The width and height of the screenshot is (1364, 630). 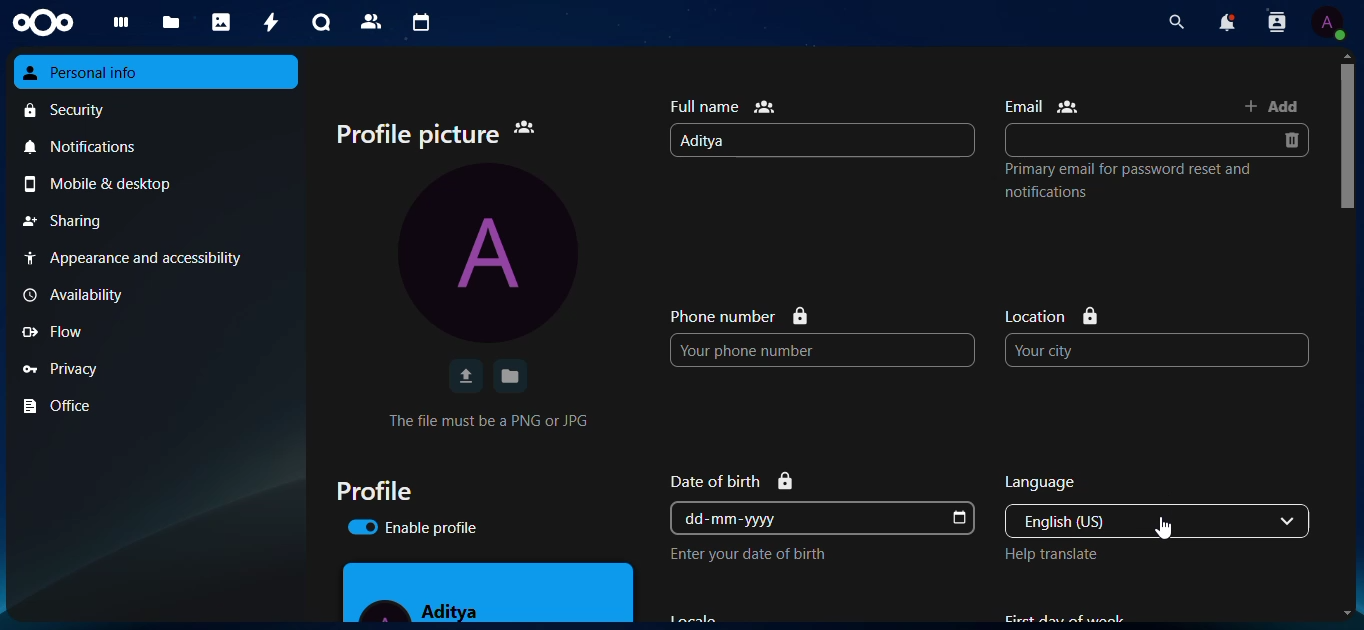 I want to click on The file must be a PNG or JPG, so click(x=496, y=420).